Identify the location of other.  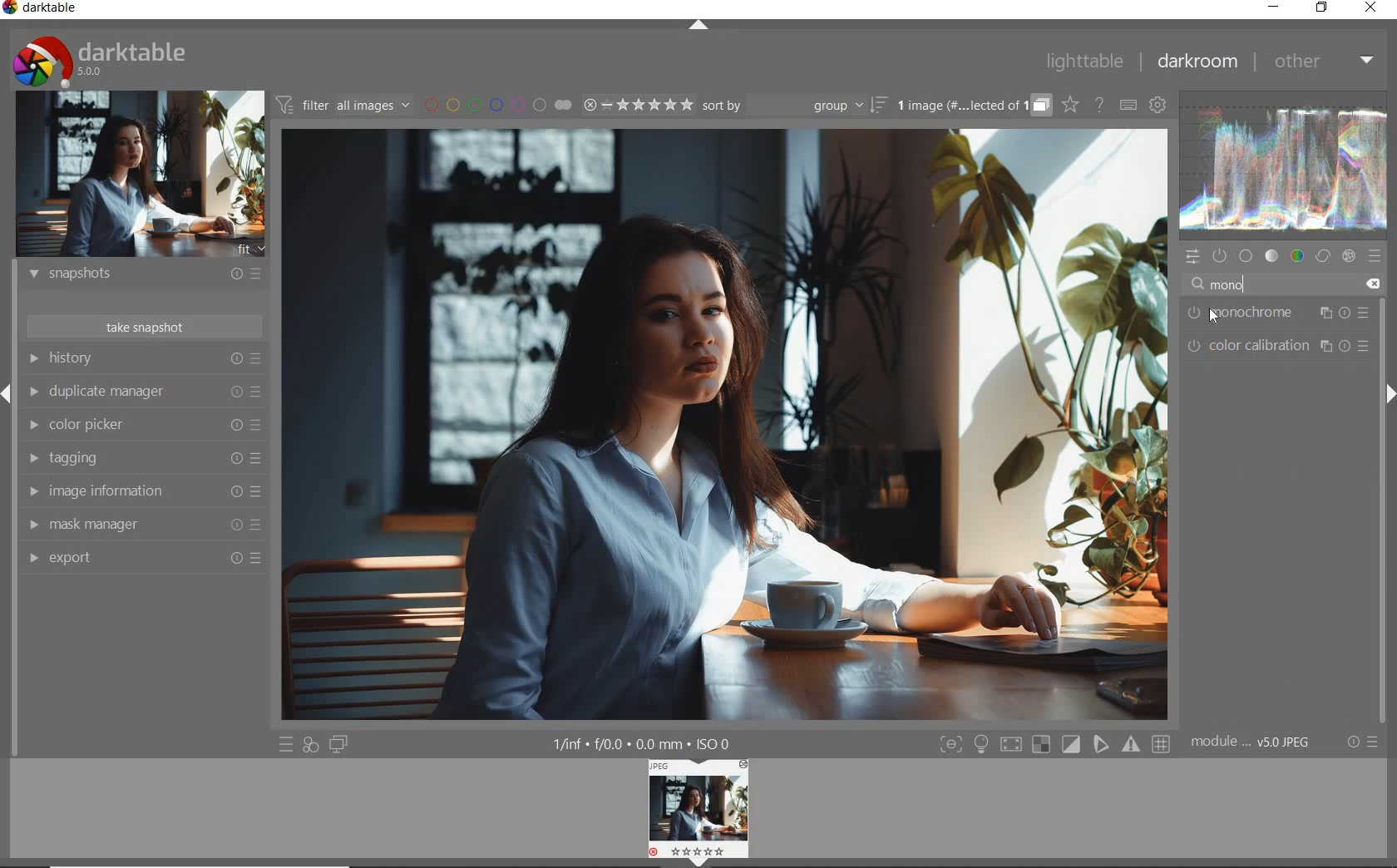
(1325, 62).